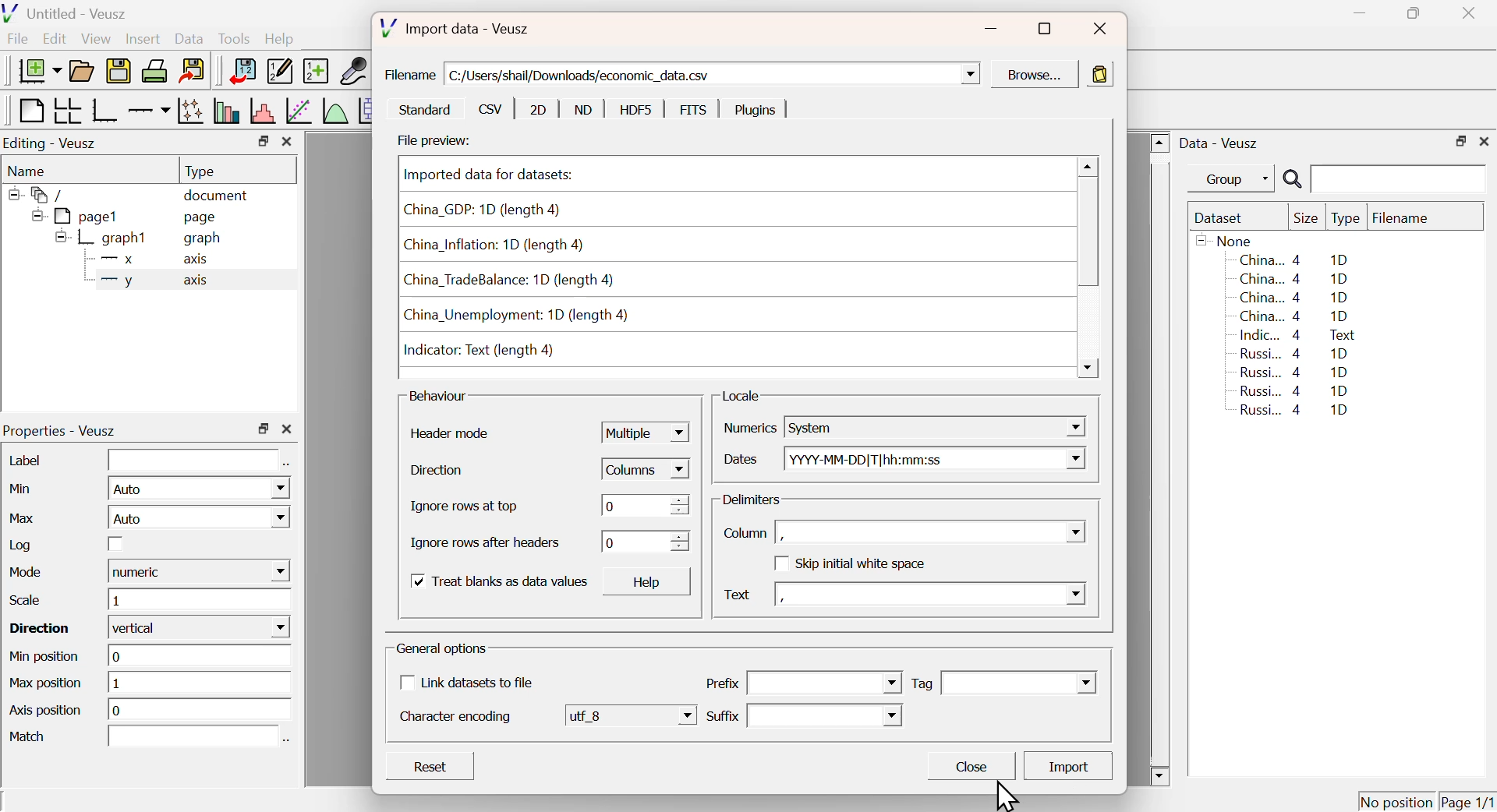 Image resolution: width=1497 pixels, height=812 pixels. Describe the element at coordinates (278, 72) in the screenshot. I see `Edit or add new data sets` at that location.